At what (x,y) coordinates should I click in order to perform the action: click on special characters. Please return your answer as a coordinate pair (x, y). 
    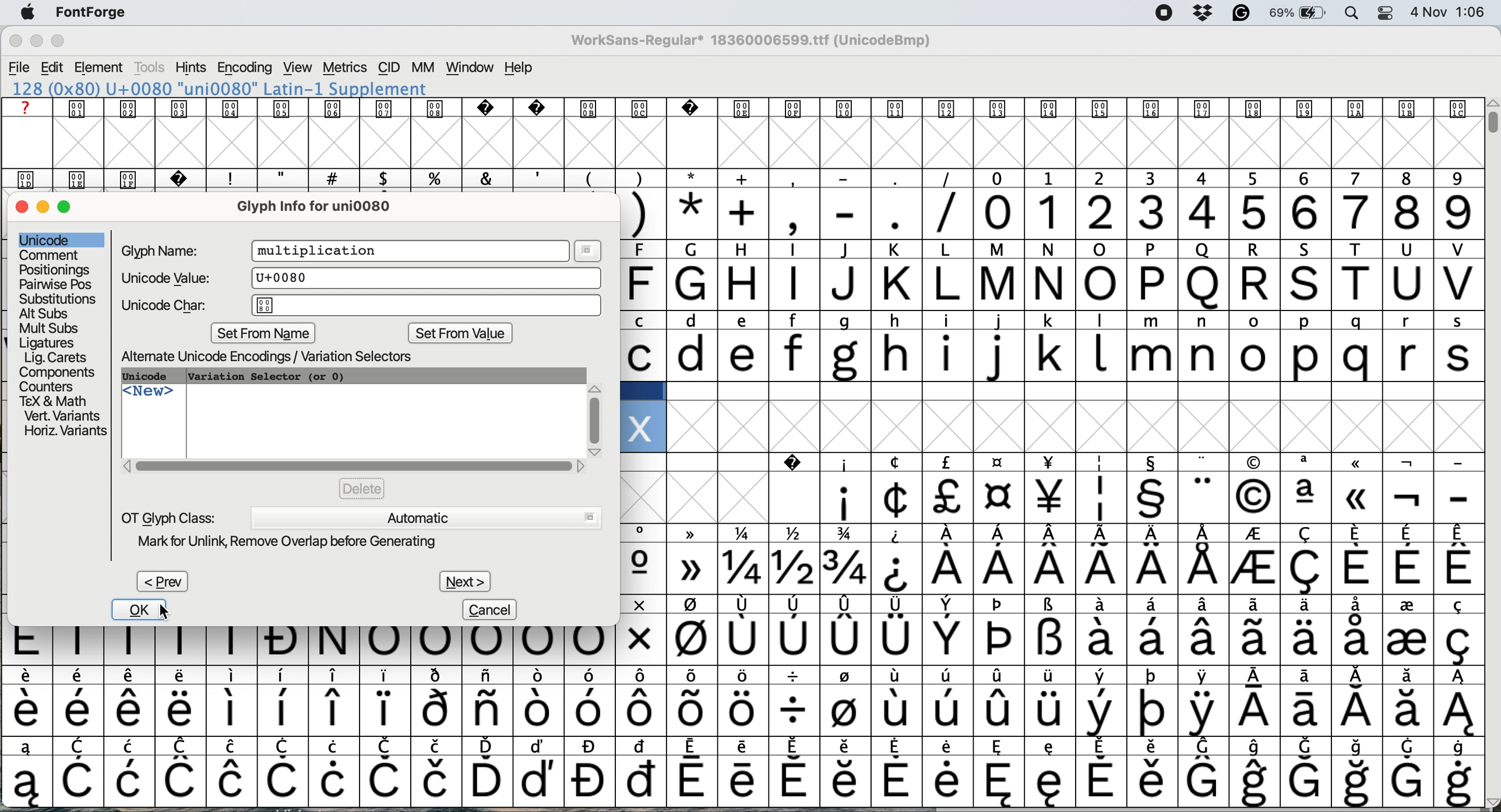
    Looking at the image, I should click on (1053, 606).